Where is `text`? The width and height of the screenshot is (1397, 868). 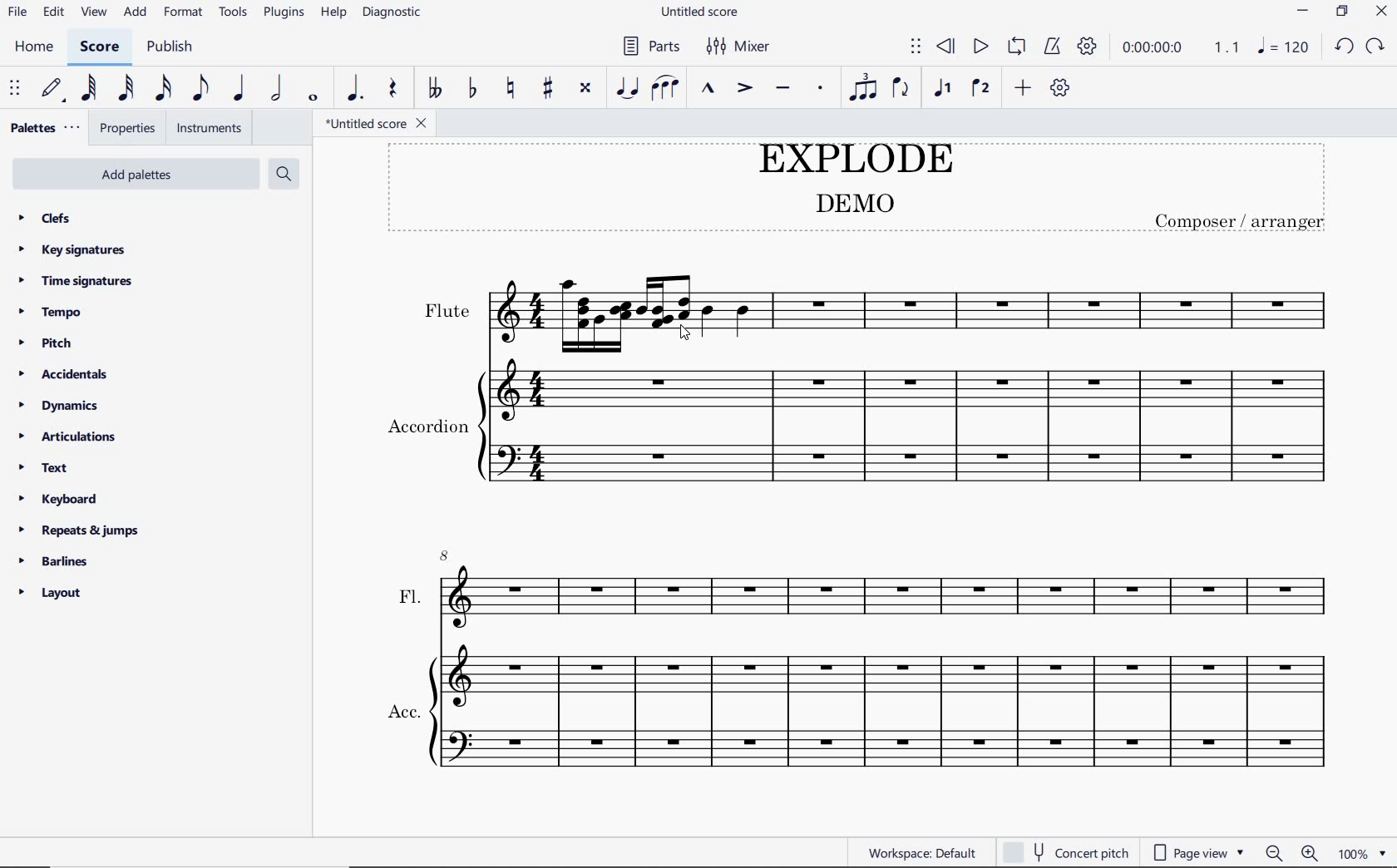 text is located at coordinates (46, 469).